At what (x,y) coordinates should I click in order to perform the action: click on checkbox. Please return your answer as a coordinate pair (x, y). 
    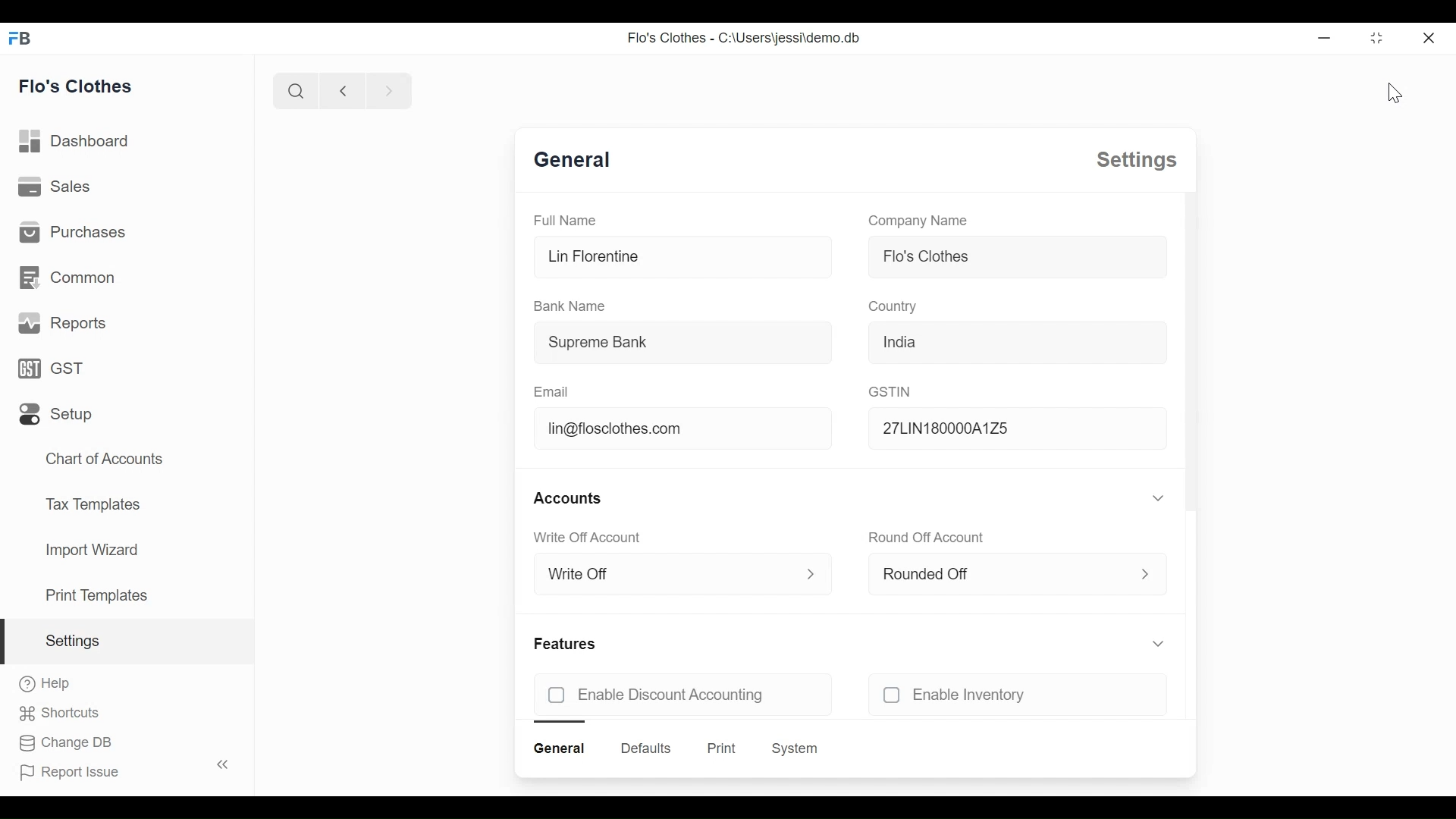
    Looking at the image, I should click on (554, 694).